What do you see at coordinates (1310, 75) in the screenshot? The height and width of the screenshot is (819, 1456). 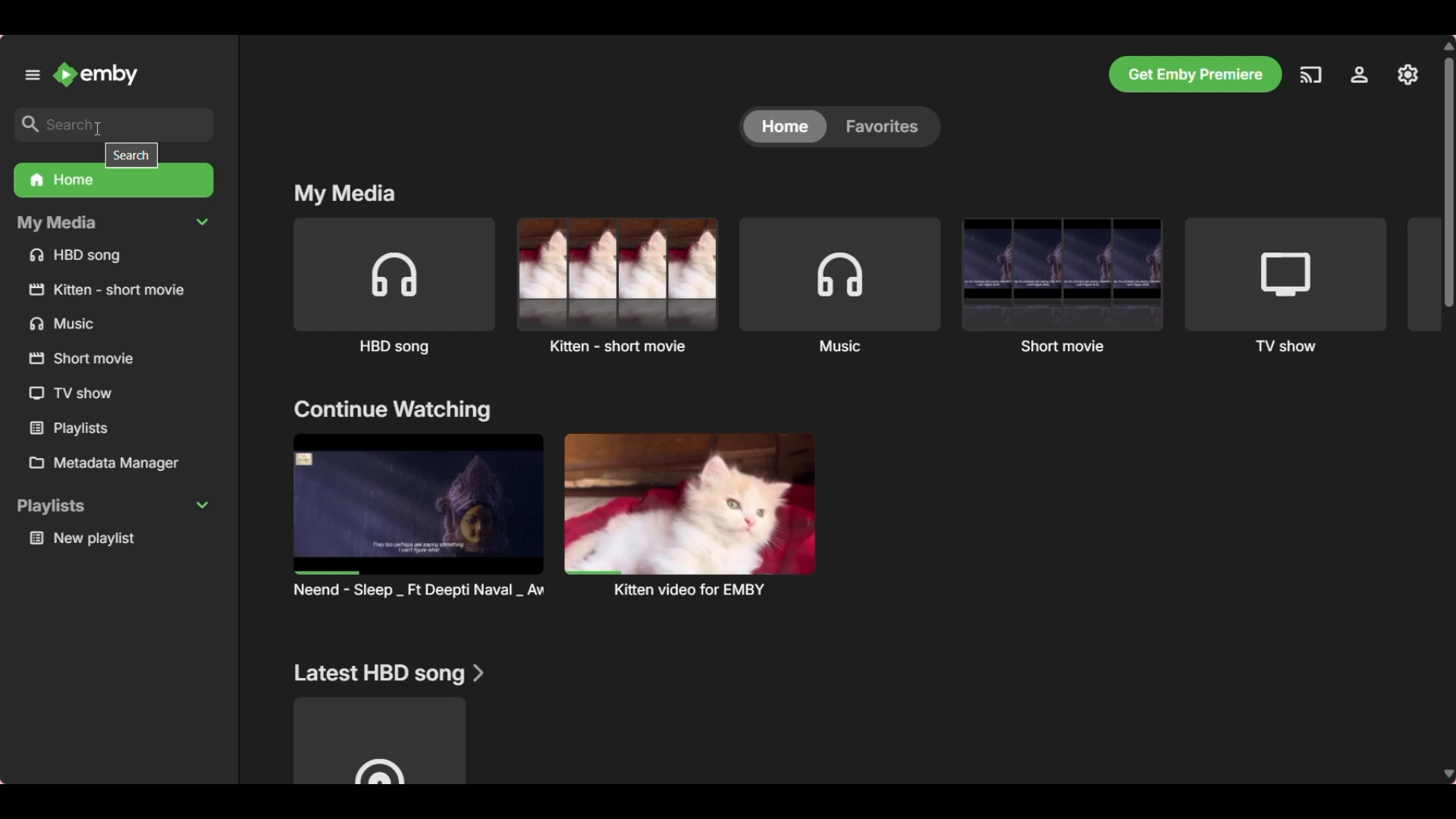 I see `Play on another device` at bounding box center [1310, 75].